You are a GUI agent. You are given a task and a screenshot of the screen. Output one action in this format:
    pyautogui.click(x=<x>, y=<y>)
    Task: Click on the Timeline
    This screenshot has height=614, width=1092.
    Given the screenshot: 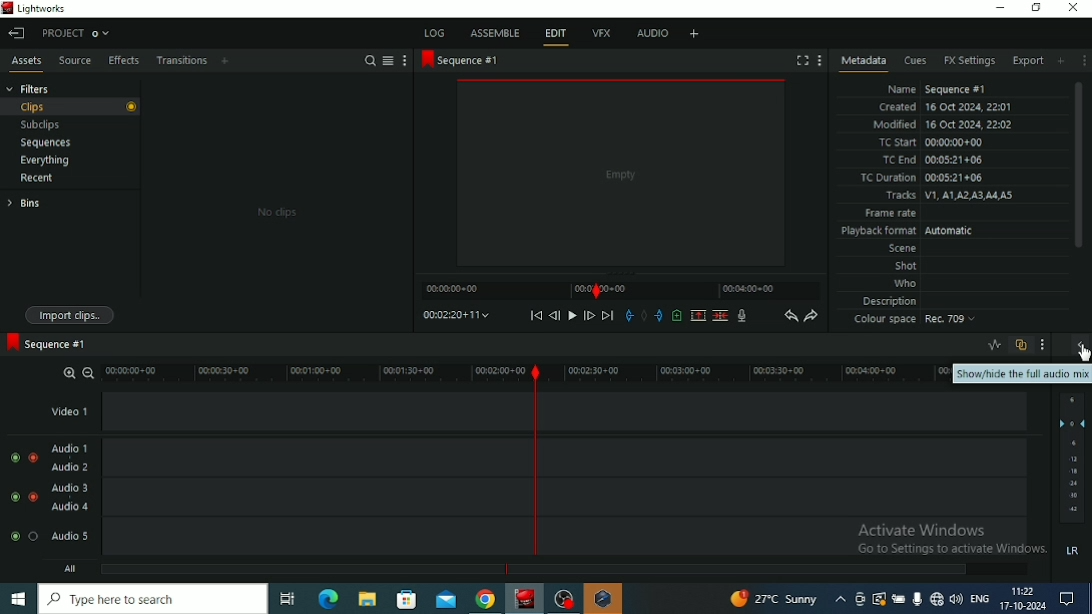 What is the action you would take?
    pyautogui.click(x=526, y=372)
    